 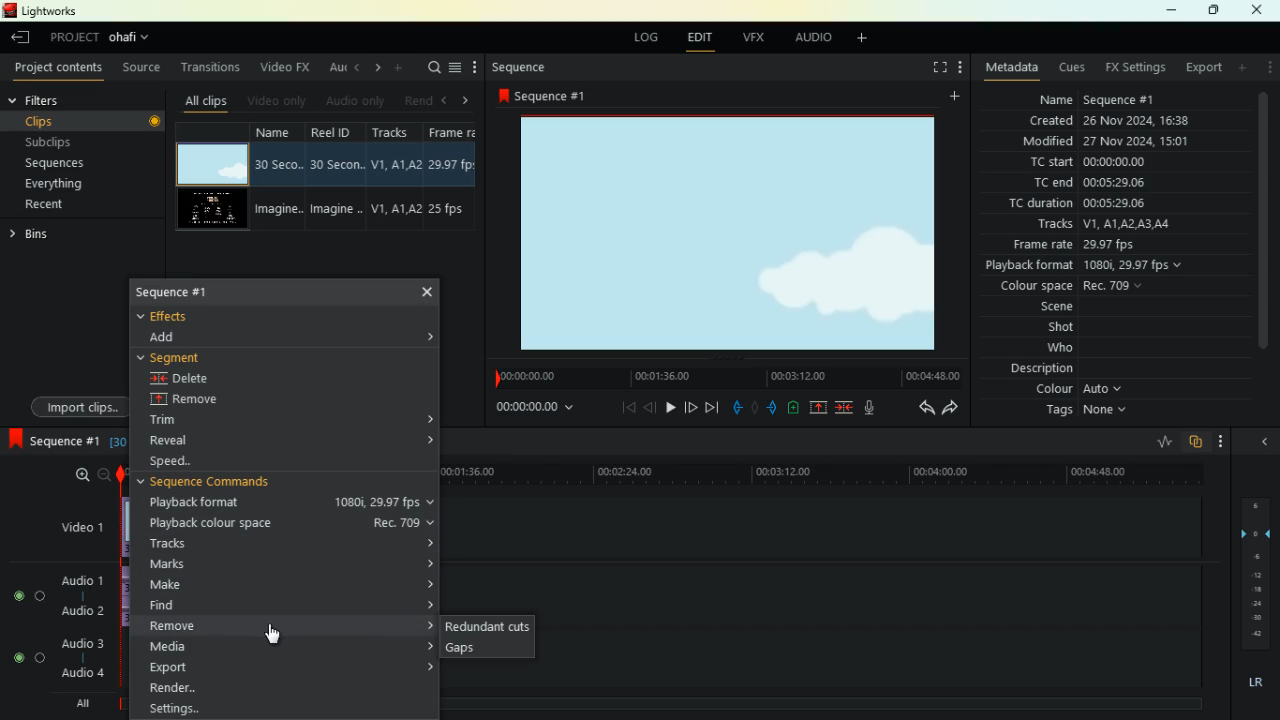 What do you see at coordinates (1260, 10) in the screenshot?
I see `close` at bounding box center [1260, 10].